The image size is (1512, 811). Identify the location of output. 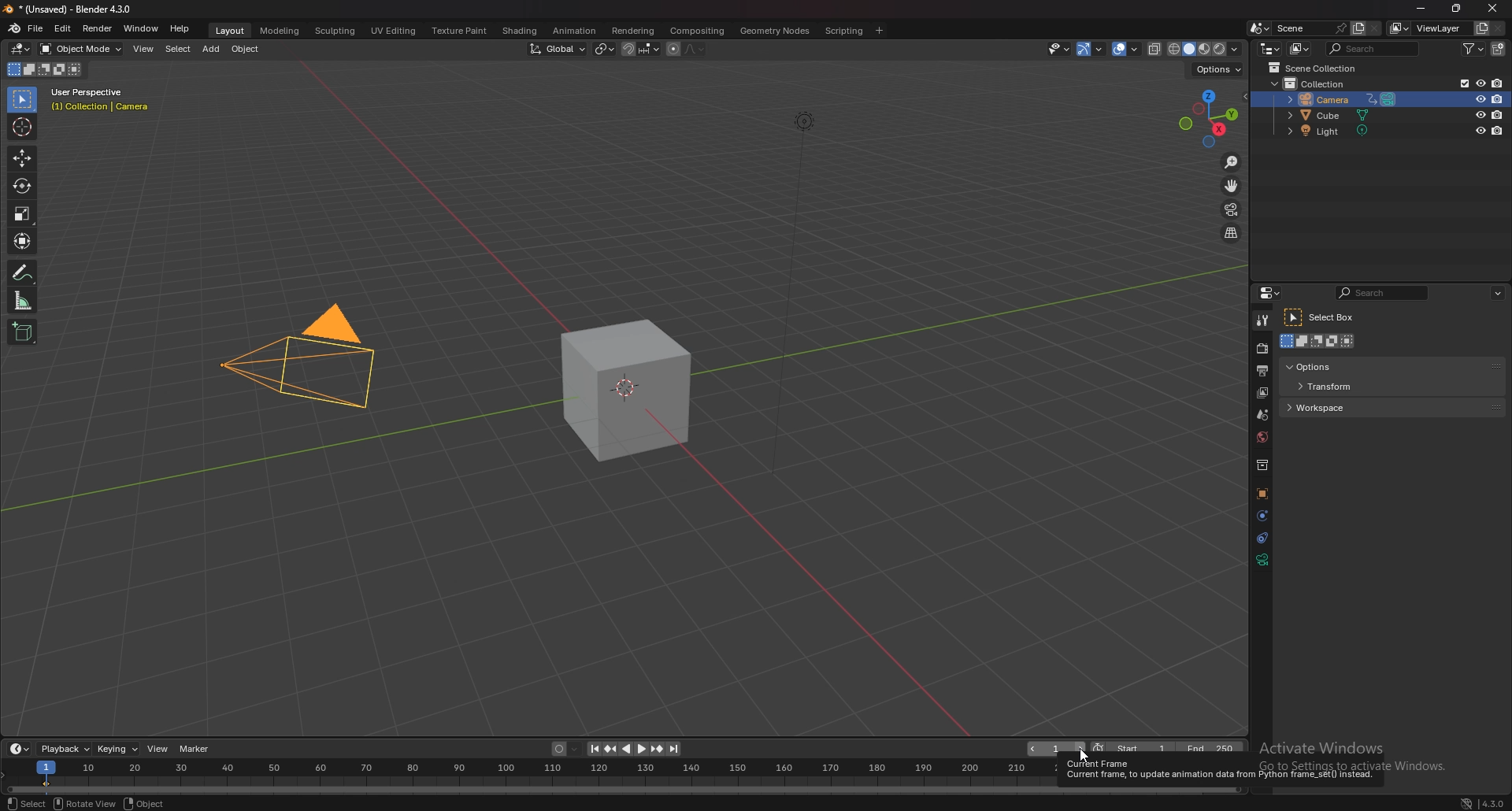
(1263, 370).